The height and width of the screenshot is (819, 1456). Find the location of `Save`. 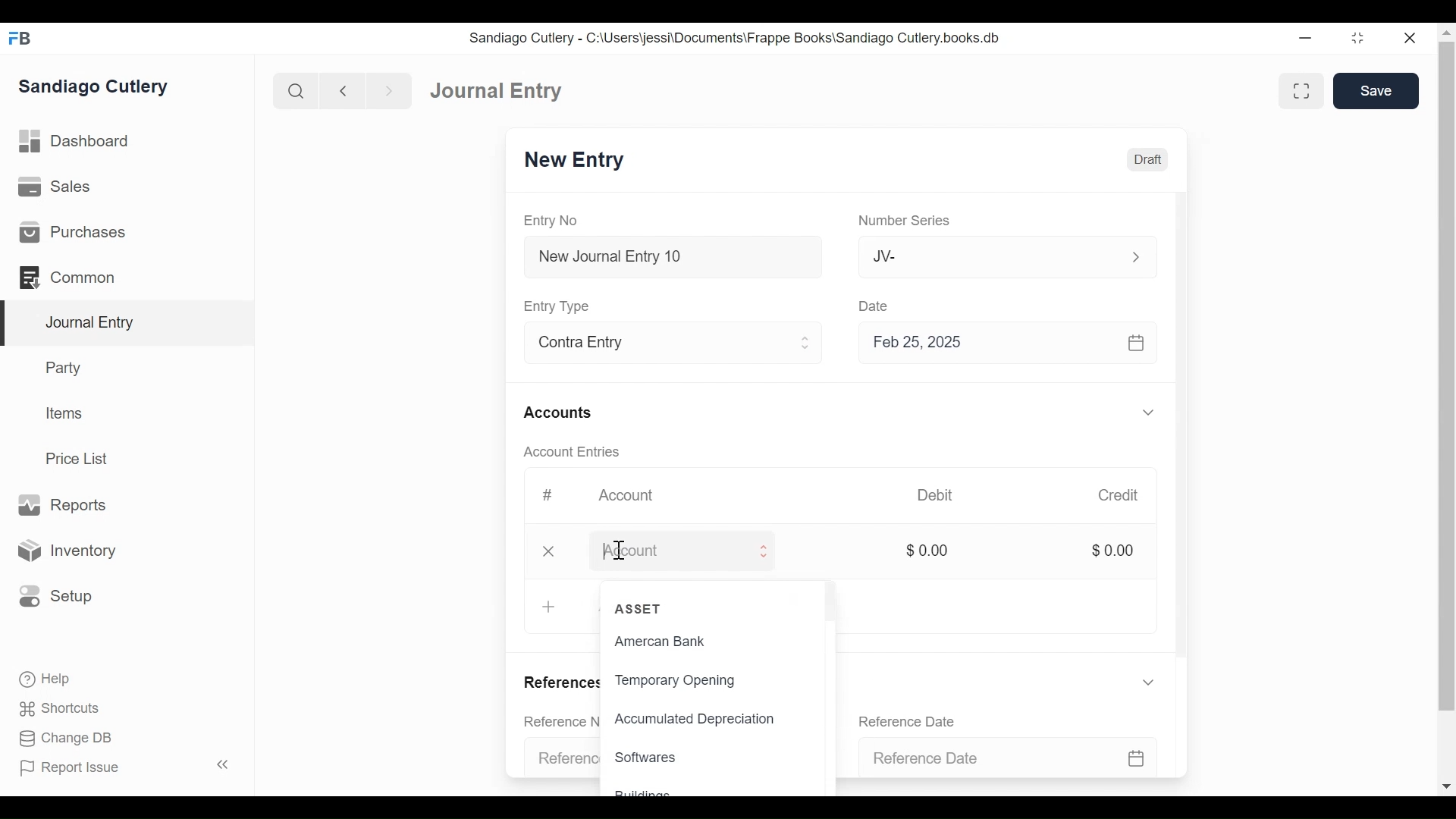

Save is located at coordinates (1376, 91).